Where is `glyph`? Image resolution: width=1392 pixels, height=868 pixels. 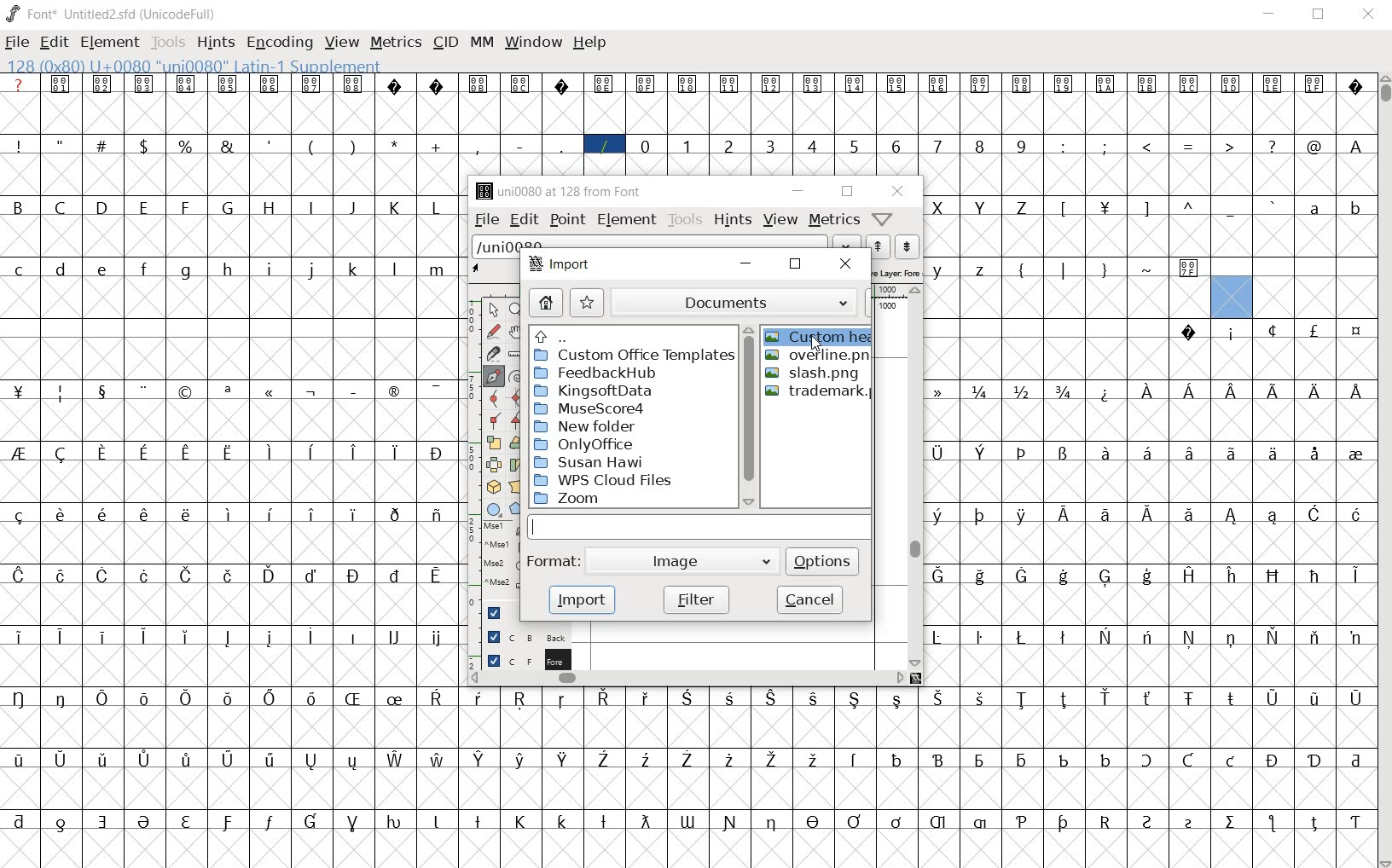 glyph is located at coordinates (1190, 575).